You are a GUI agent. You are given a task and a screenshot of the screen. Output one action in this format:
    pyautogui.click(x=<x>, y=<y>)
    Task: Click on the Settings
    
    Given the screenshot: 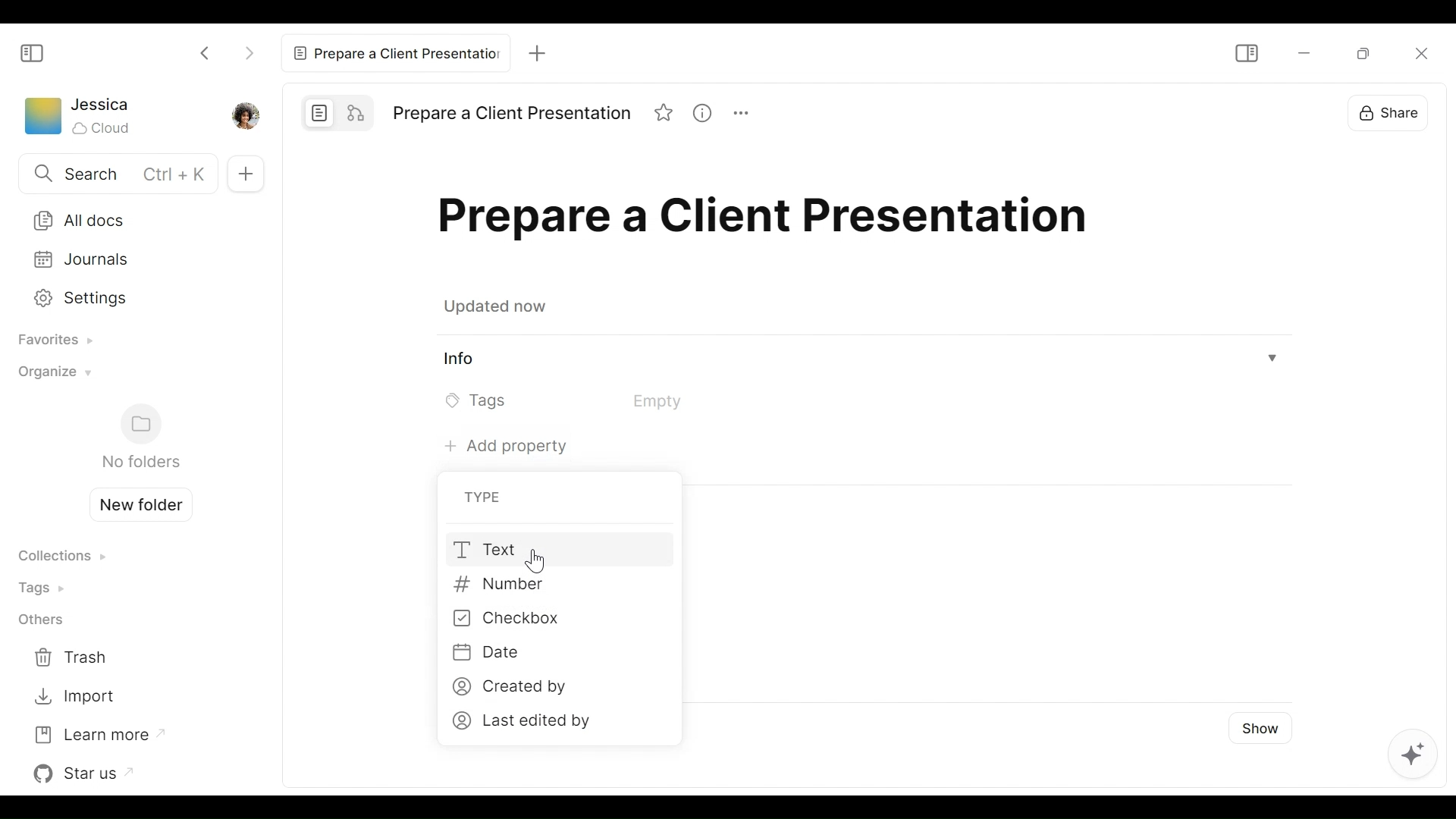 What is the action you would take?
    pyautogui.click(x=127, y=296)
    